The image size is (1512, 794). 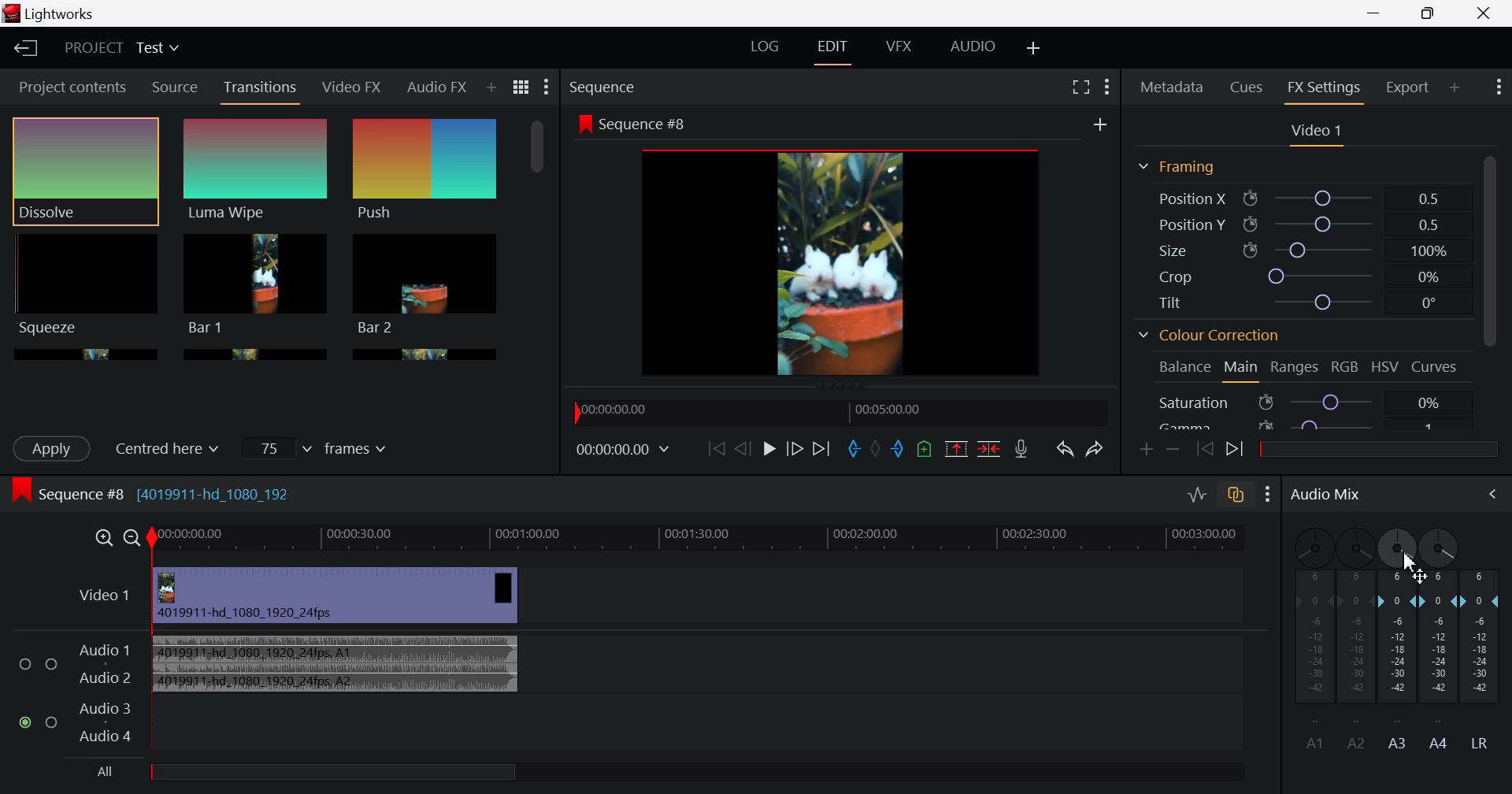 I want to click on A3 Channel Decibel Level, so click(x=1398, y=662).